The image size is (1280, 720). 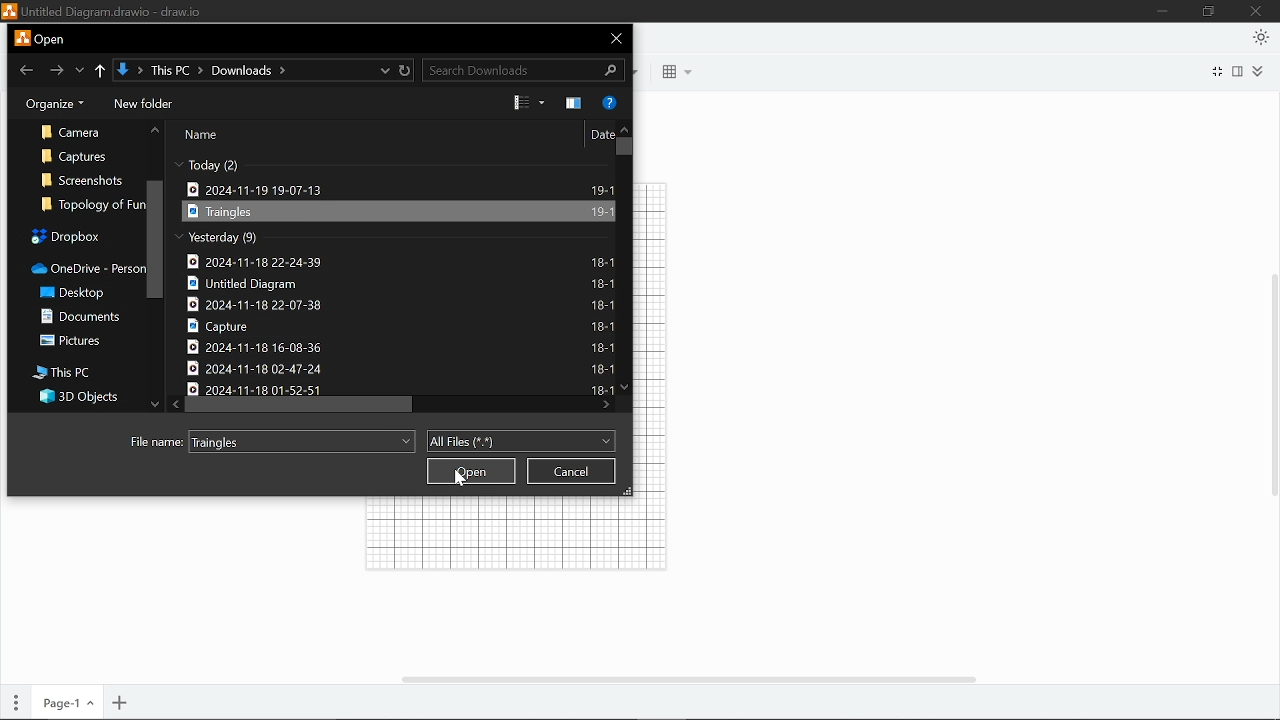 I want to click on Captures, so click(x=79, y=155).